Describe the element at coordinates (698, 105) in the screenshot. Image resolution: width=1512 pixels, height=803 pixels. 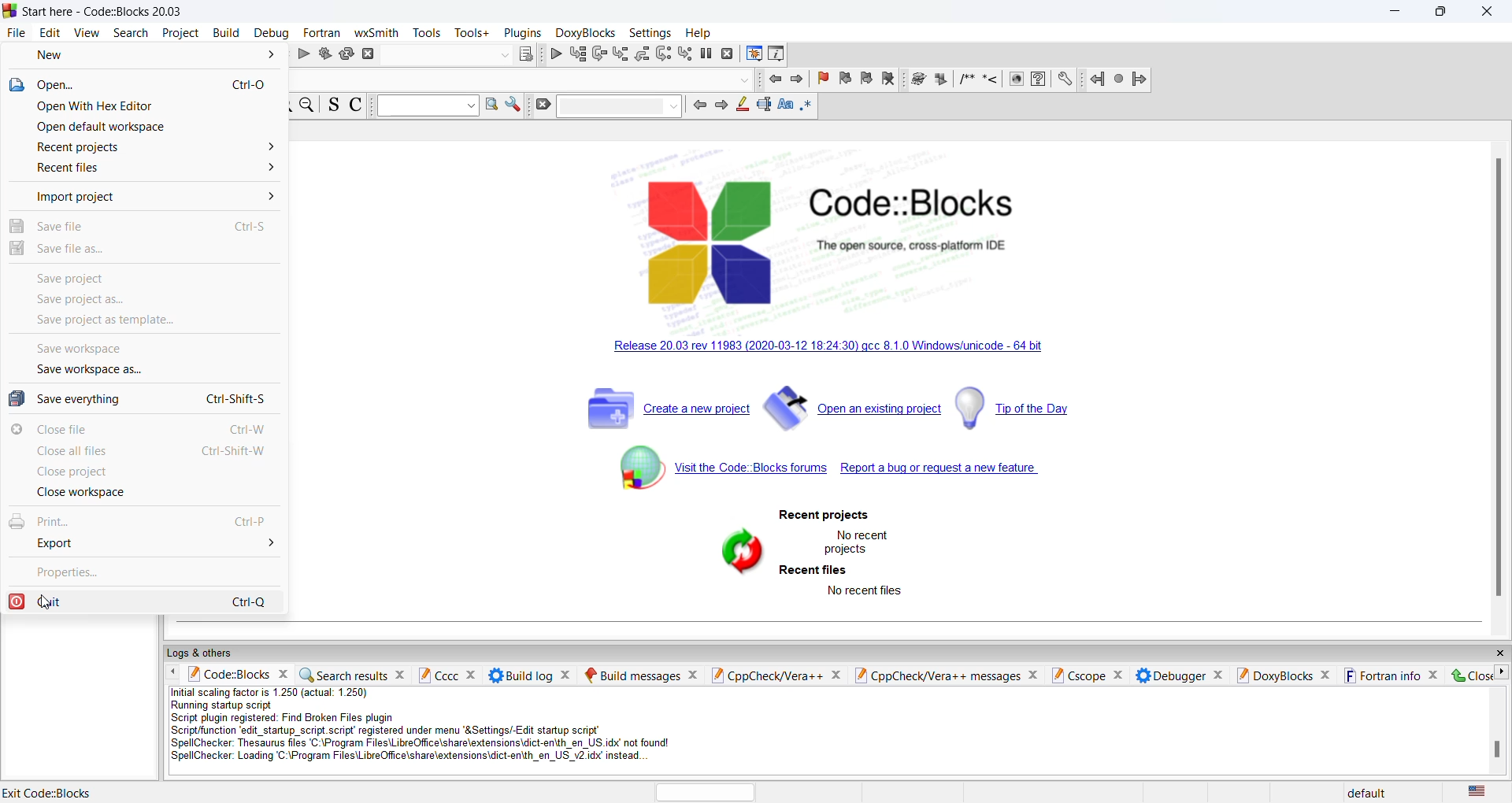
I see `previous` at that location.